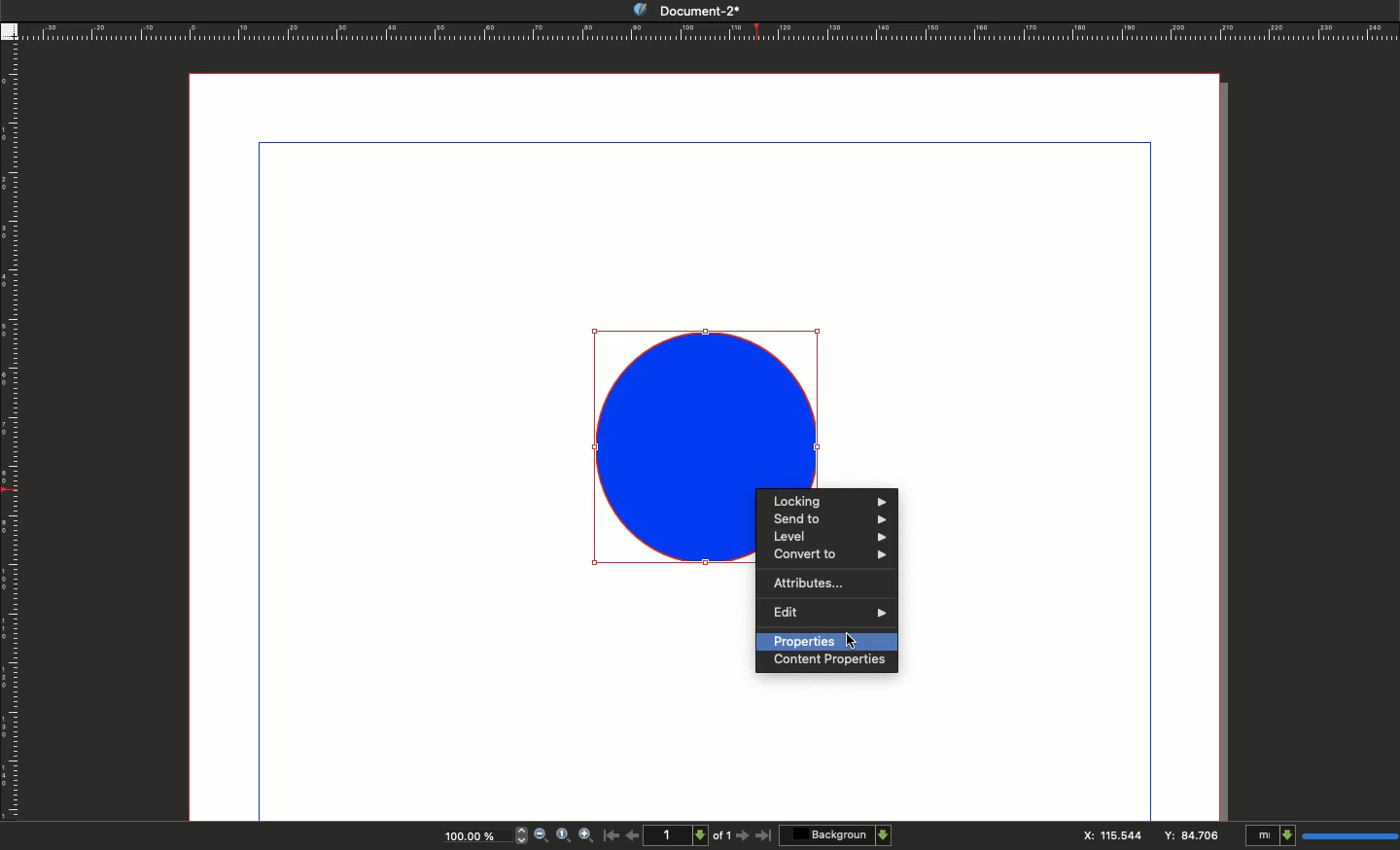  Describe the element at coordinates (828, 614) in the screenshot. I see `Edit` at that location.